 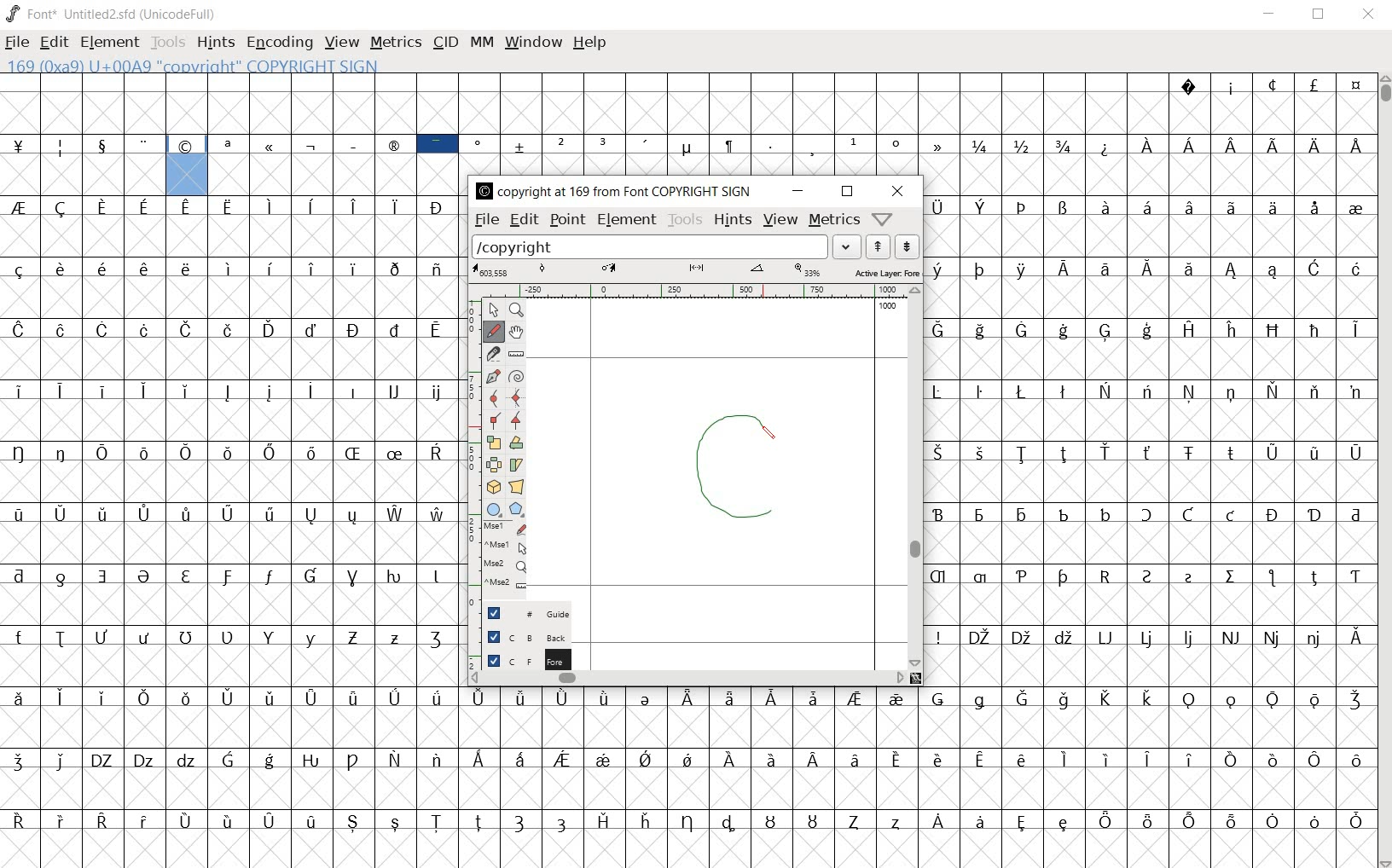 What do you see at coordinates (485, 220) in the screenshot?
I see `file` at bounding box center [485, 220].